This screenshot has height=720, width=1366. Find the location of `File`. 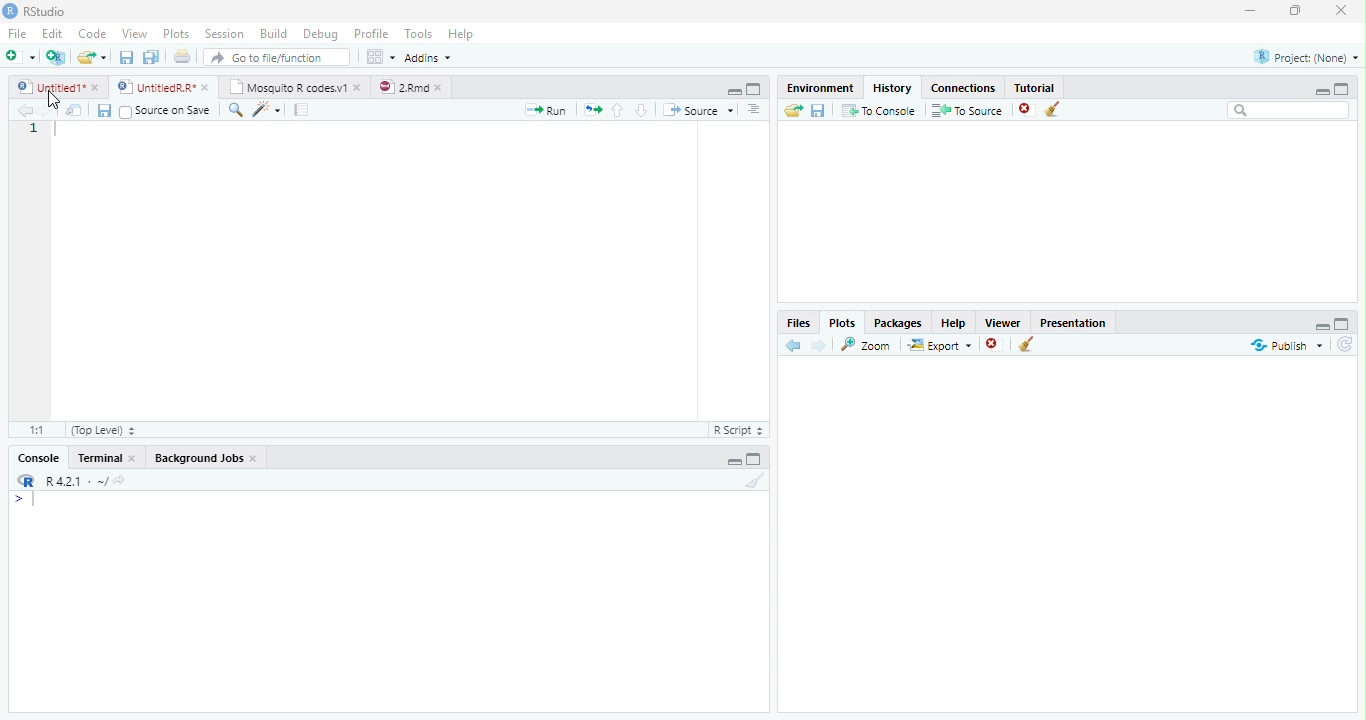

File is located at coordinates (18, 31).